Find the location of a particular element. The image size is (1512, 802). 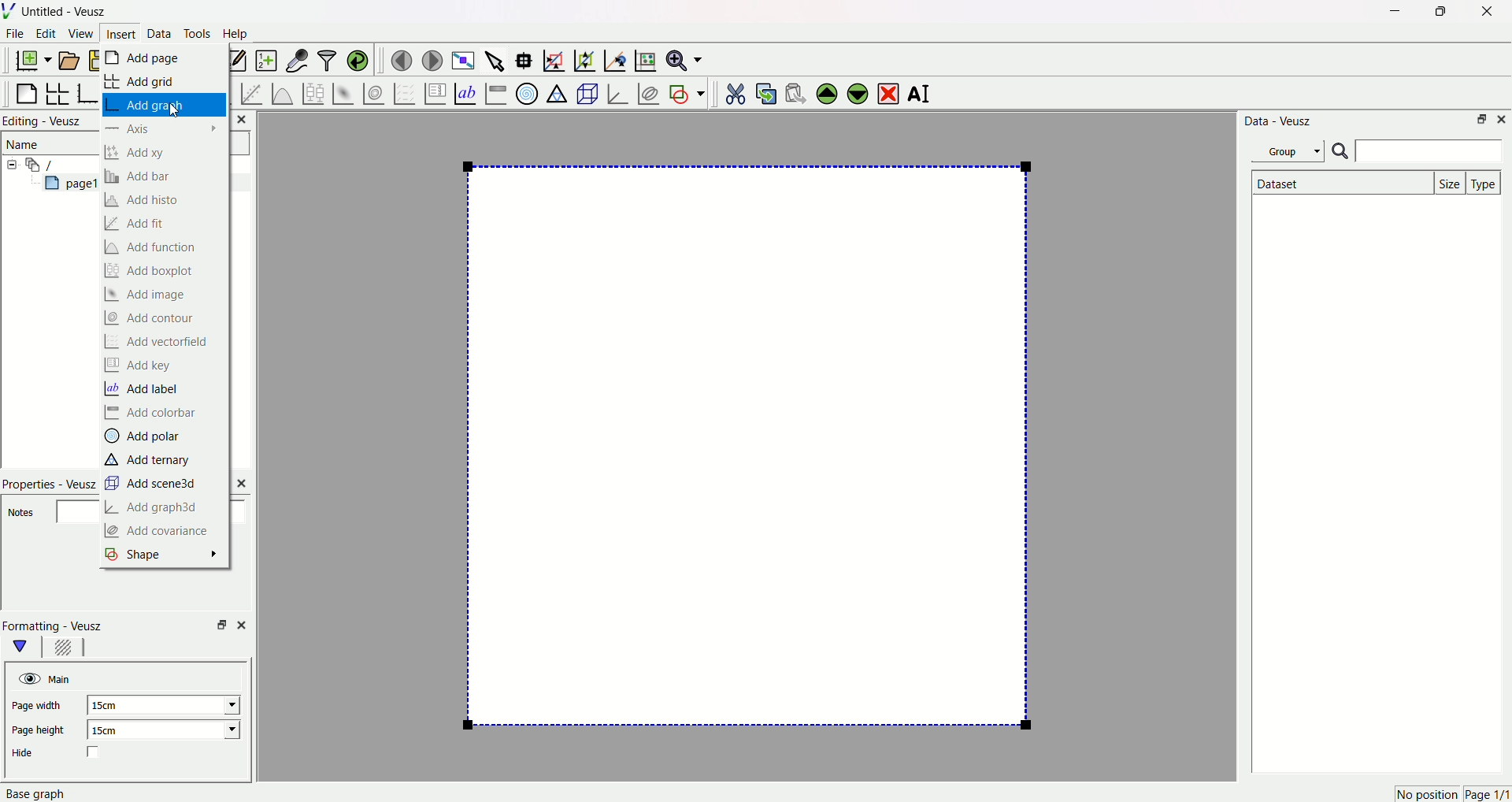

text label is located at coordinates (464, 92).